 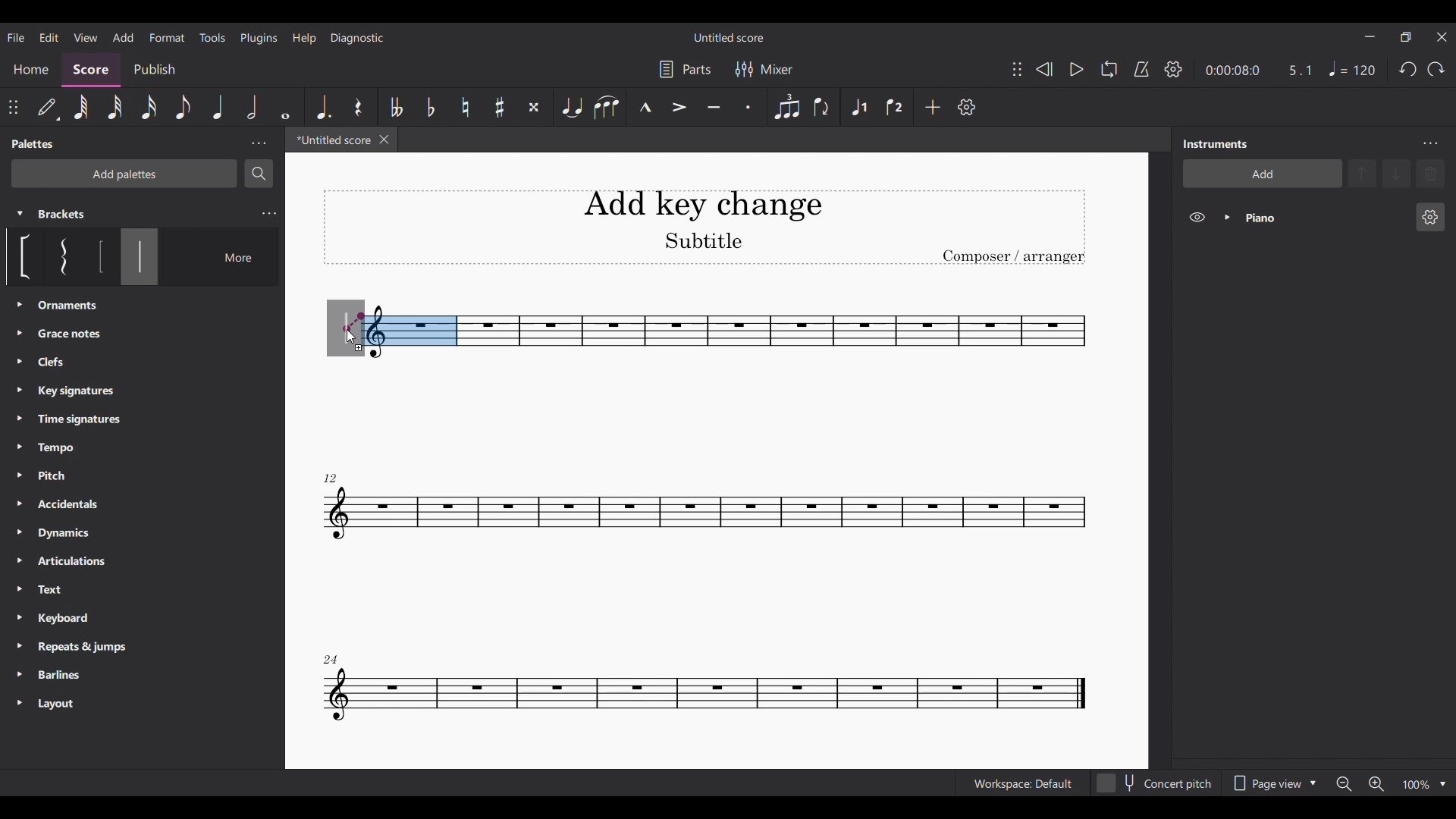 I want to click on Bracket options to choose from, so click(x=56, y=256).